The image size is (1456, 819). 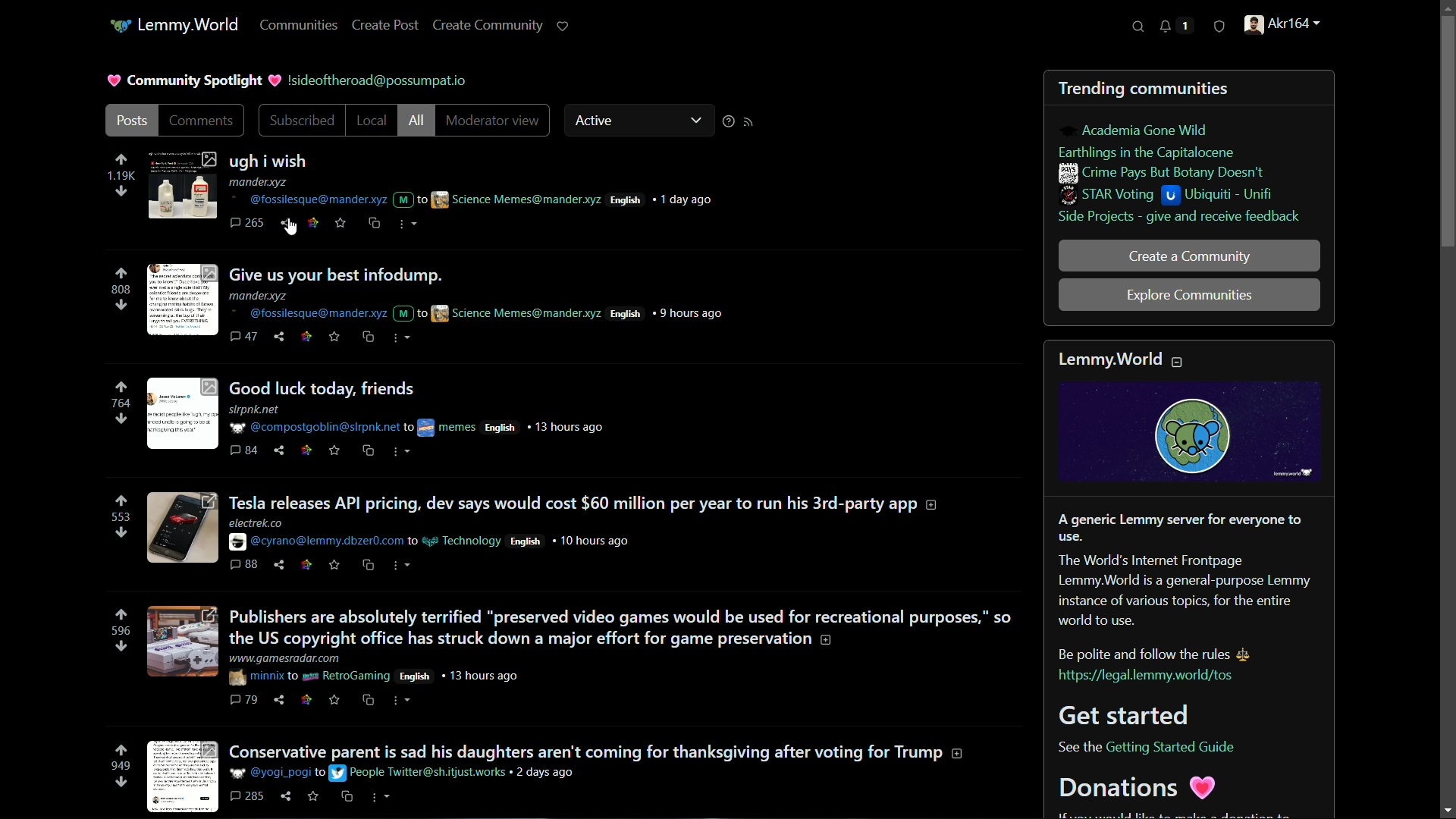 What do you see at coordinates (369, 337) in the screenshot?
I see `cross psot` at bounding box center [369, 337].